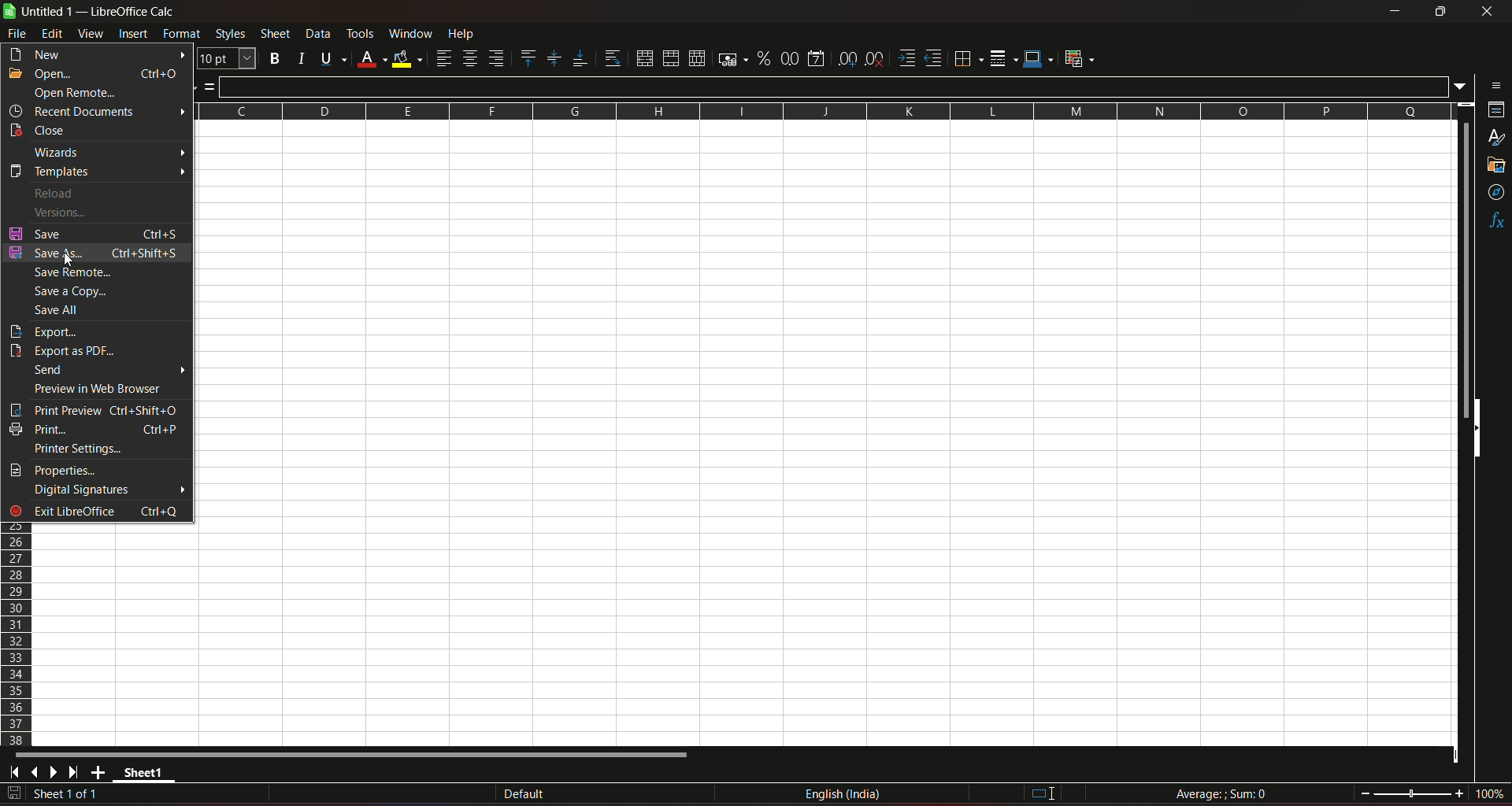  Describe the element at coordinates (9, 13) in the screenshot. I see `libreoffice calc logo` at that location.